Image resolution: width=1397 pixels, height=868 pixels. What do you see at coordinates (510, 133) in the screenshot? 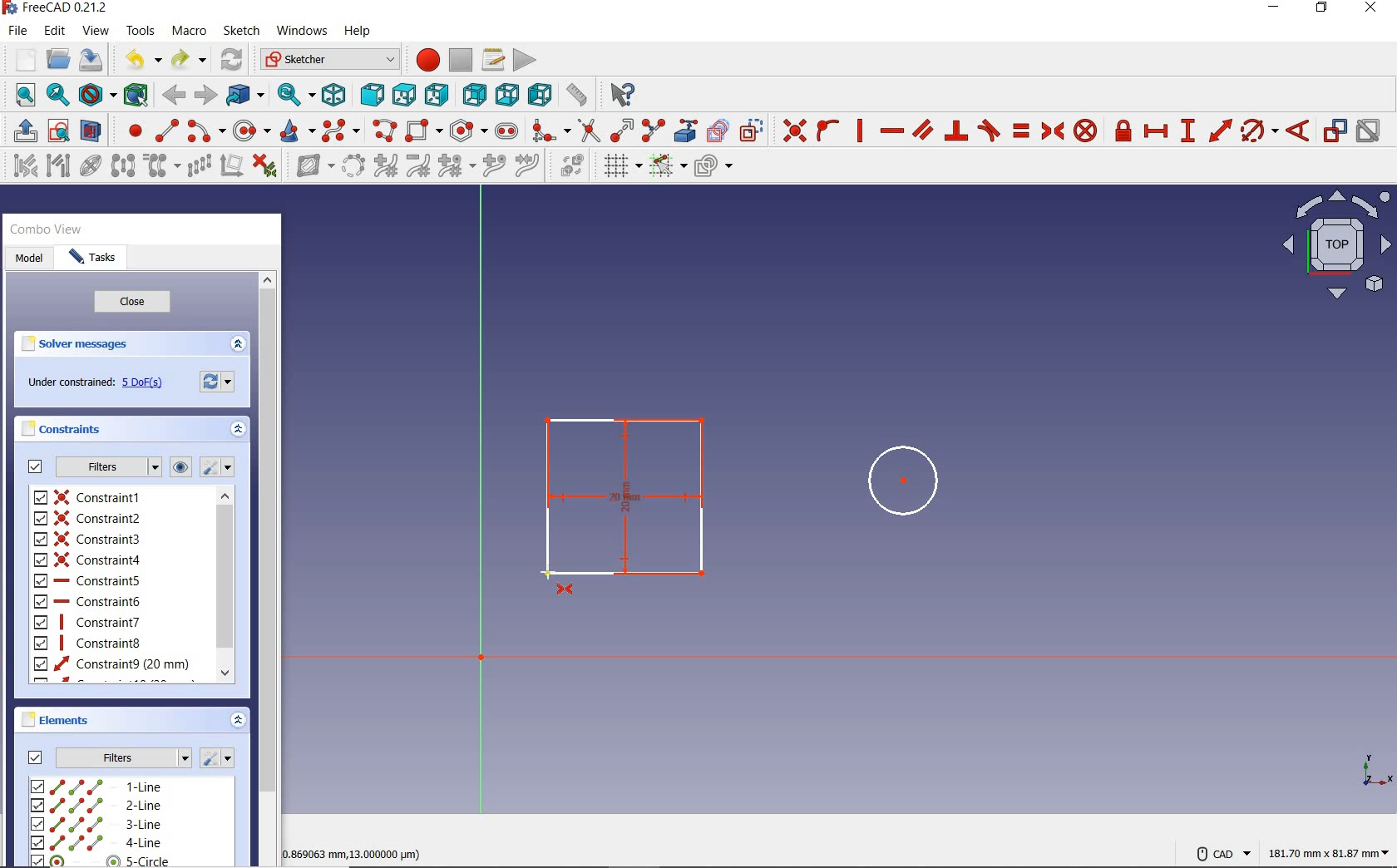
I see `create slot` at bounding box center [510, 133].